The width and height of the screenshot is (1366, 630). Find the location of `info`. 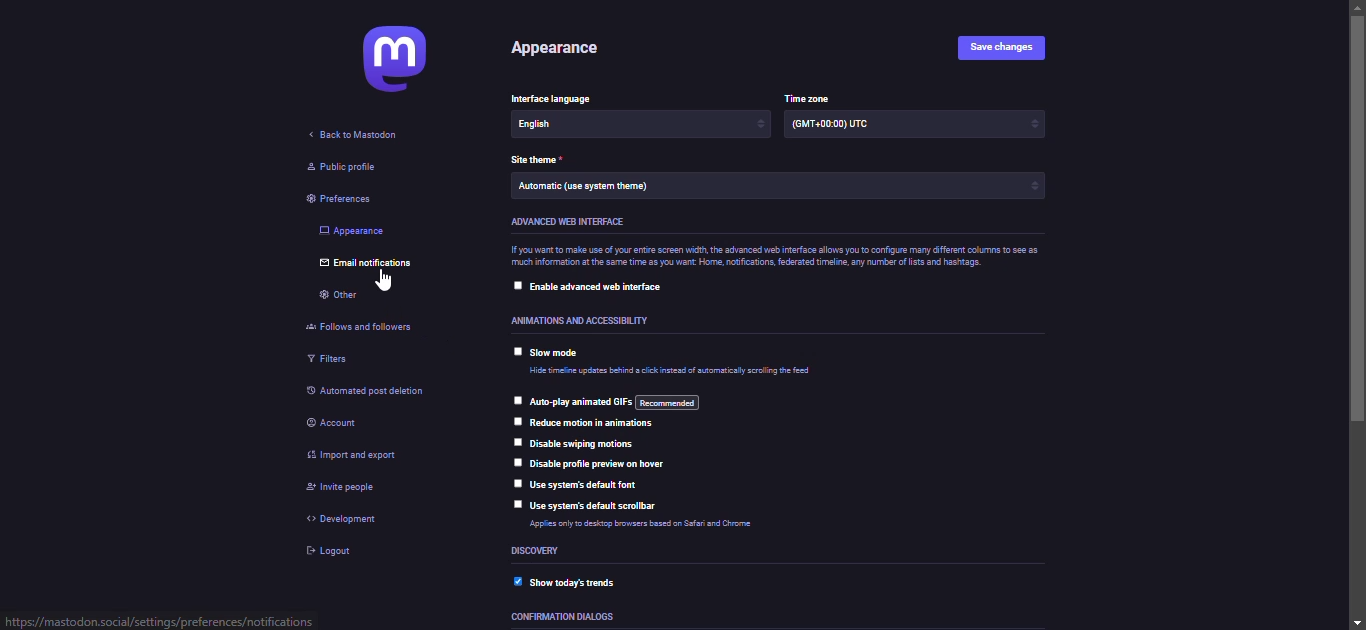

info is located at coordinates (650, 524).